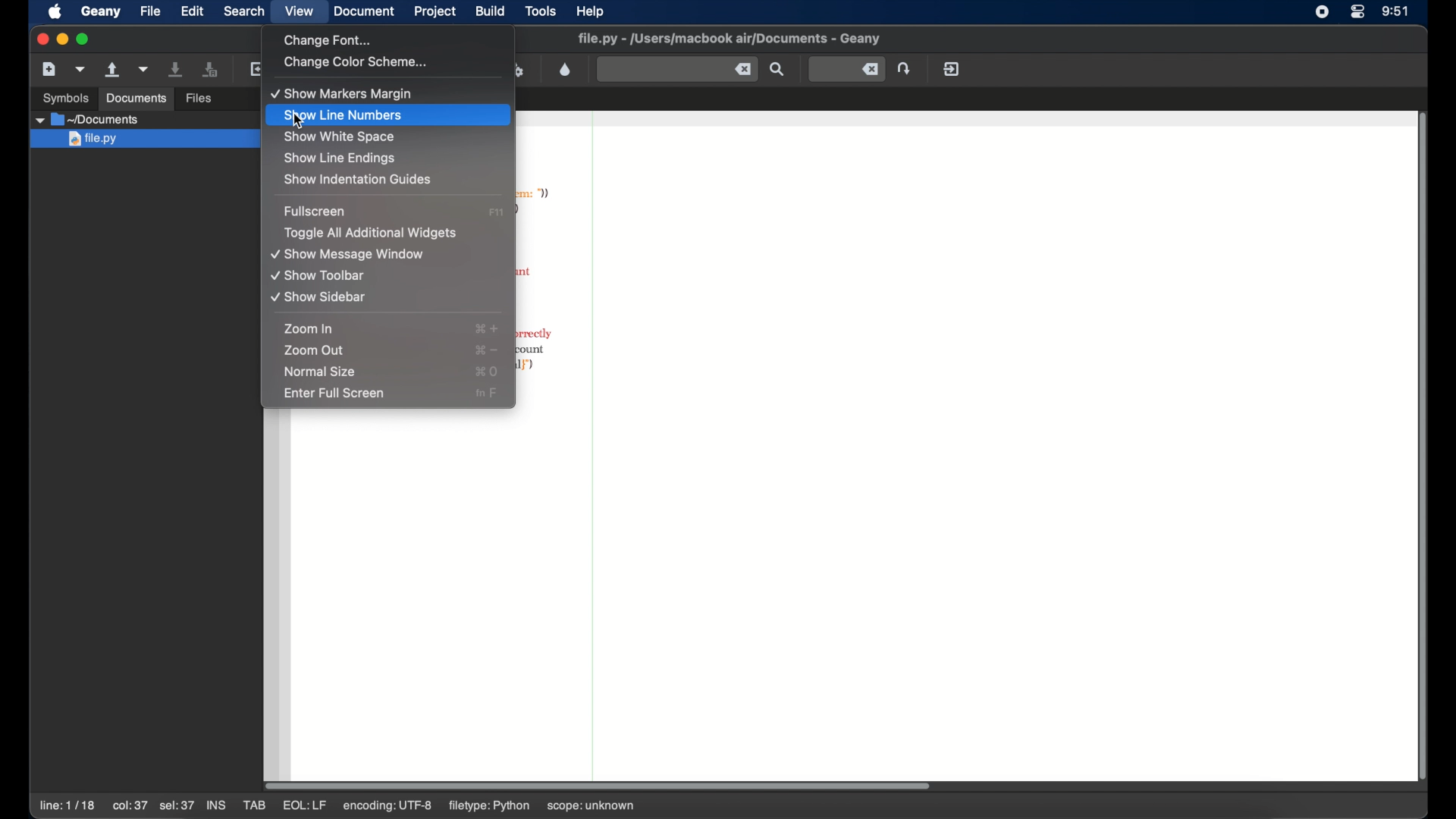  Describe the element at coordinates (319, 372) in the screenshot. I see `normal size` at that location.